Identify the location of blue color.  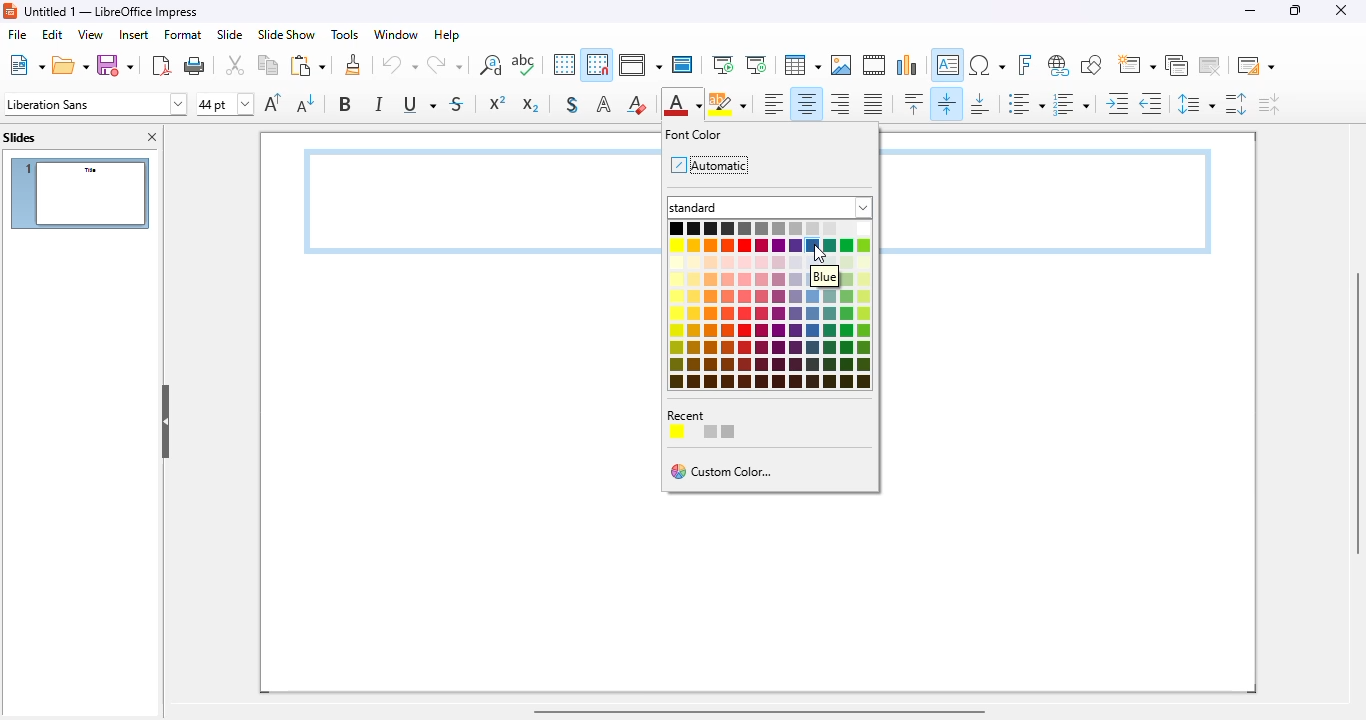
(813, 246).